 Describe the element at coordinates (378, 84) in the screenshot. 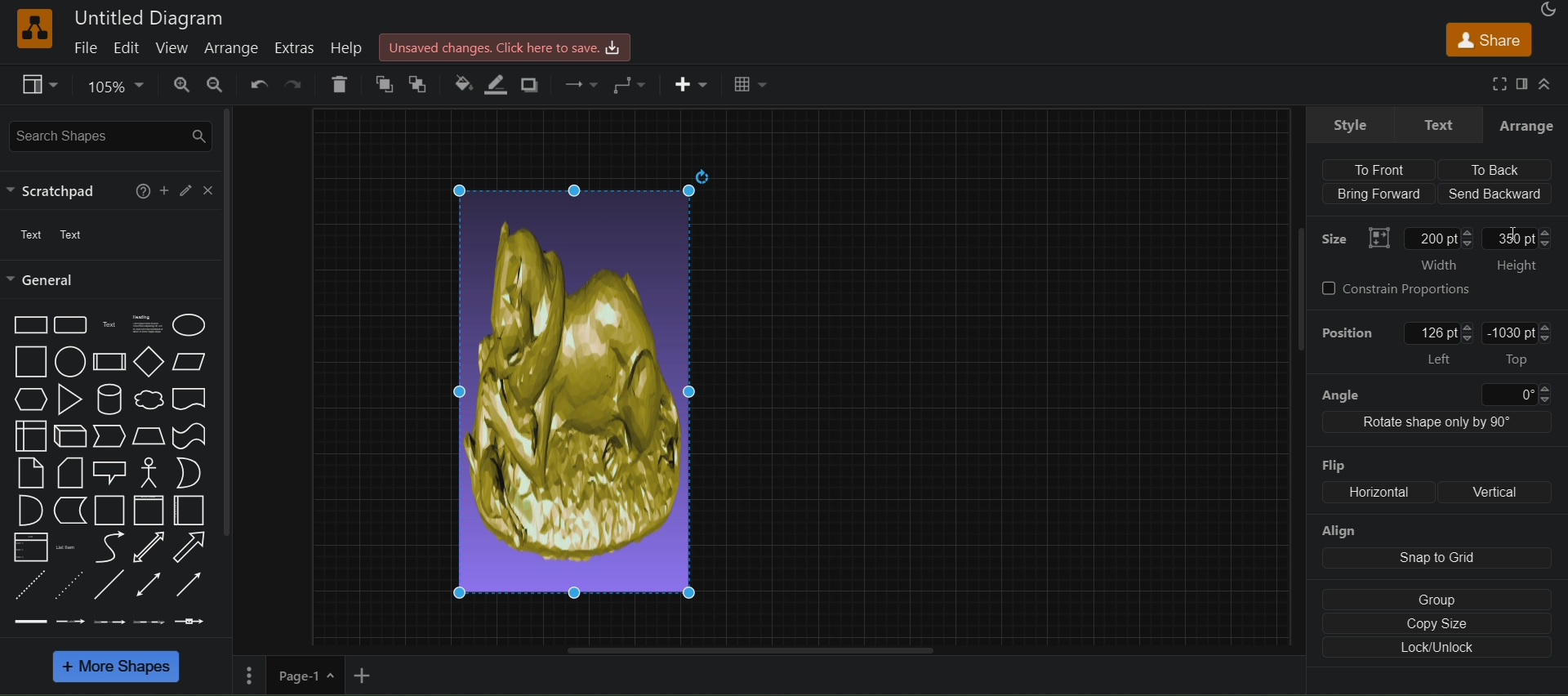

I see `to front` at that location.